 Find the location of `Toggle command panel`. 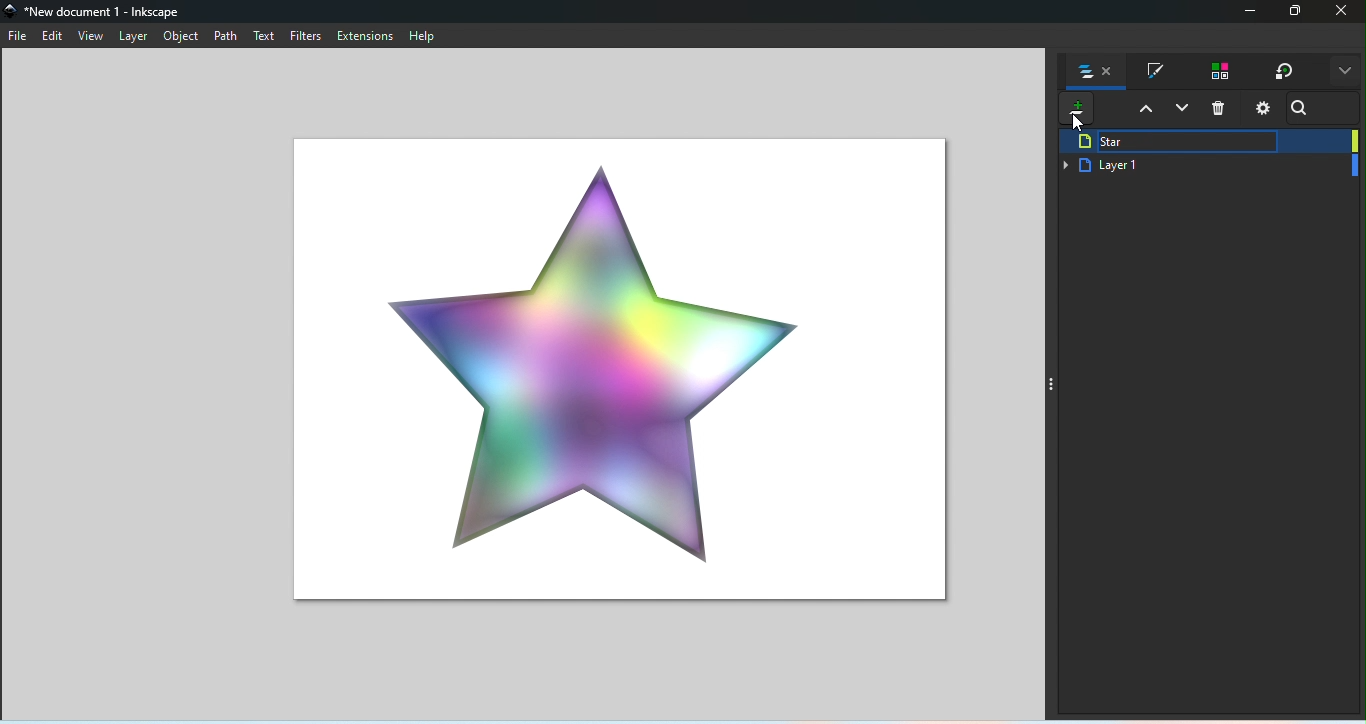

Toggle command panel is located at coordinates (1054, 383).